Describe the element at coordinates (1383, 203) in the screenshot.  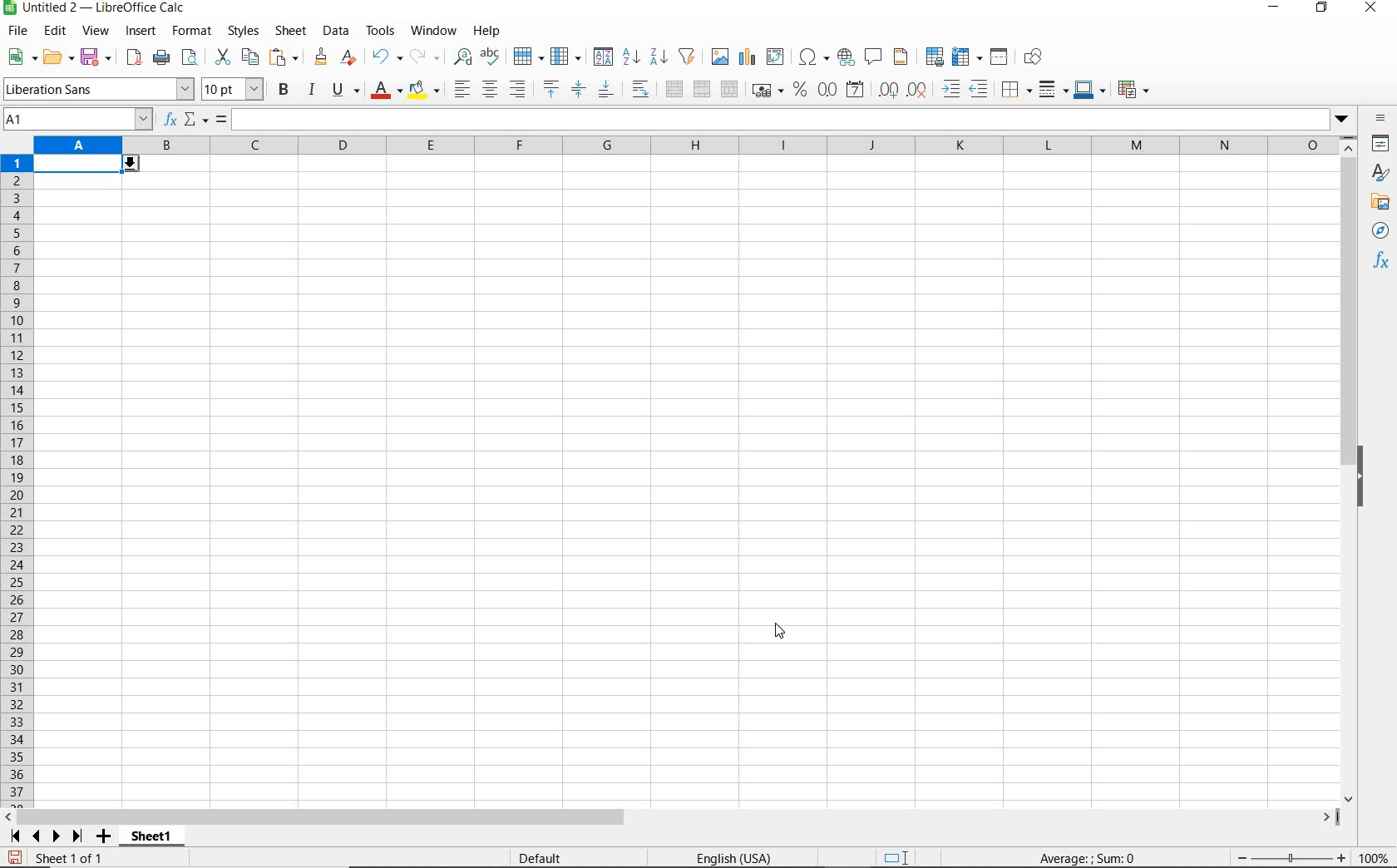
I see `gallery` at that location.